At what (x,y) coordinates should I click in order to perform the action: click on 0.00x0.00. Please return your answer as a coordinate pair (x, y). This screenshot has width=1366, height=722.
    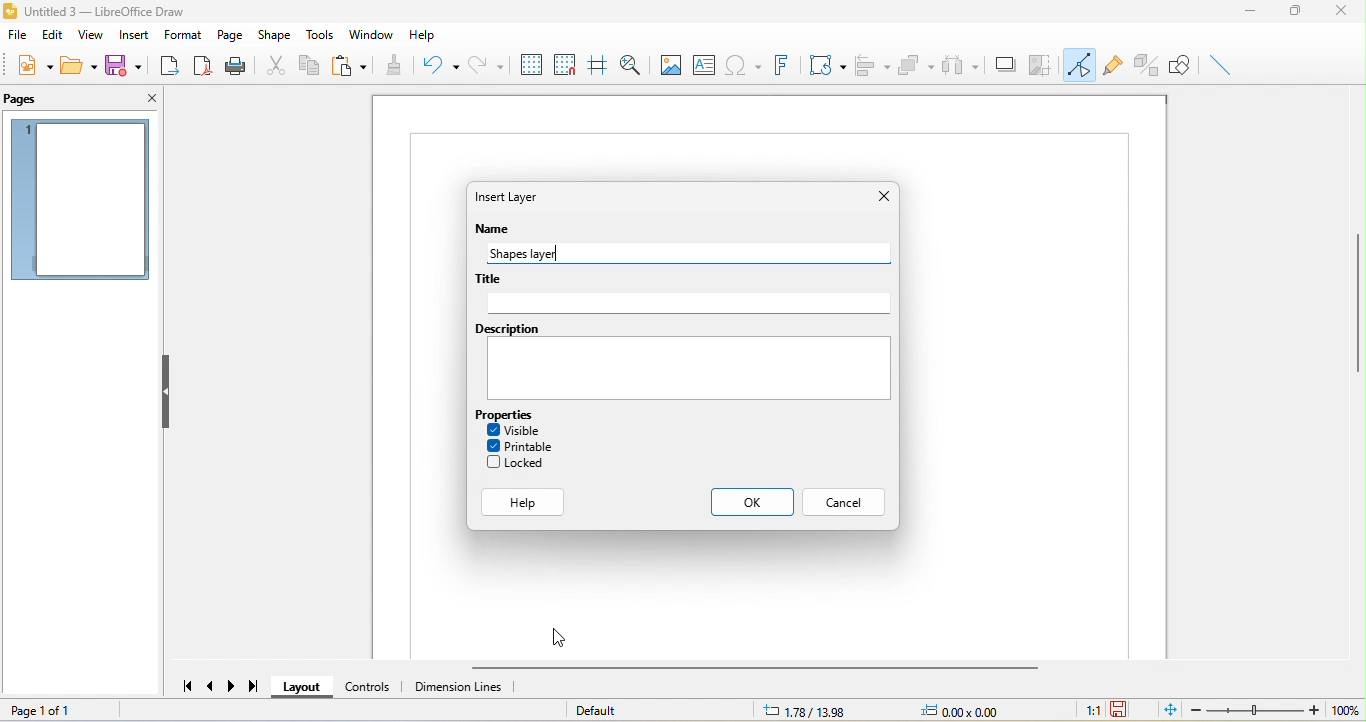
    Looking at the image, I should click on (975, 710).